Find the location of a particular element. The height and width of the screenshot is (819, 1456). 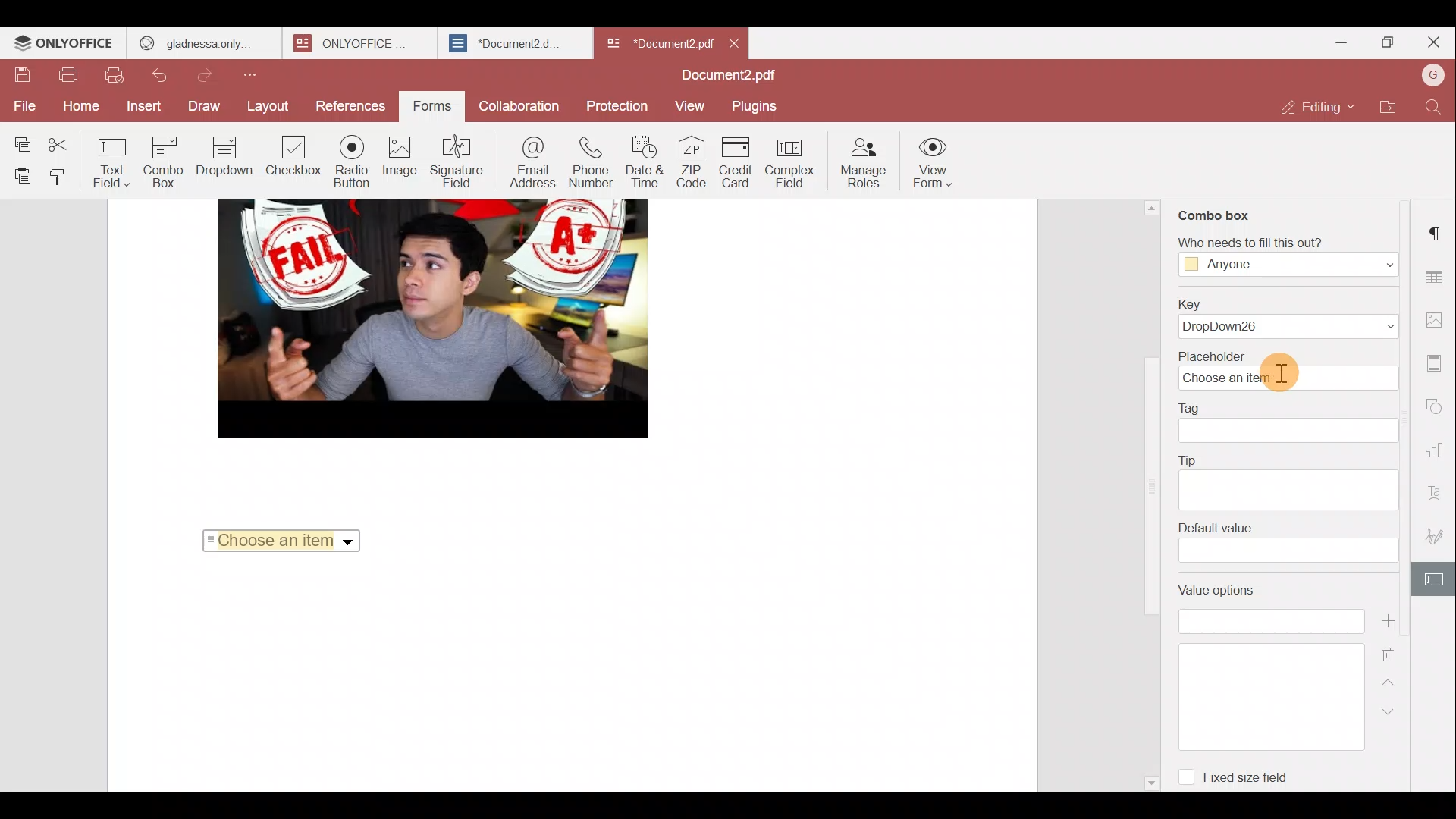

image is located at coordinates (431, 318).